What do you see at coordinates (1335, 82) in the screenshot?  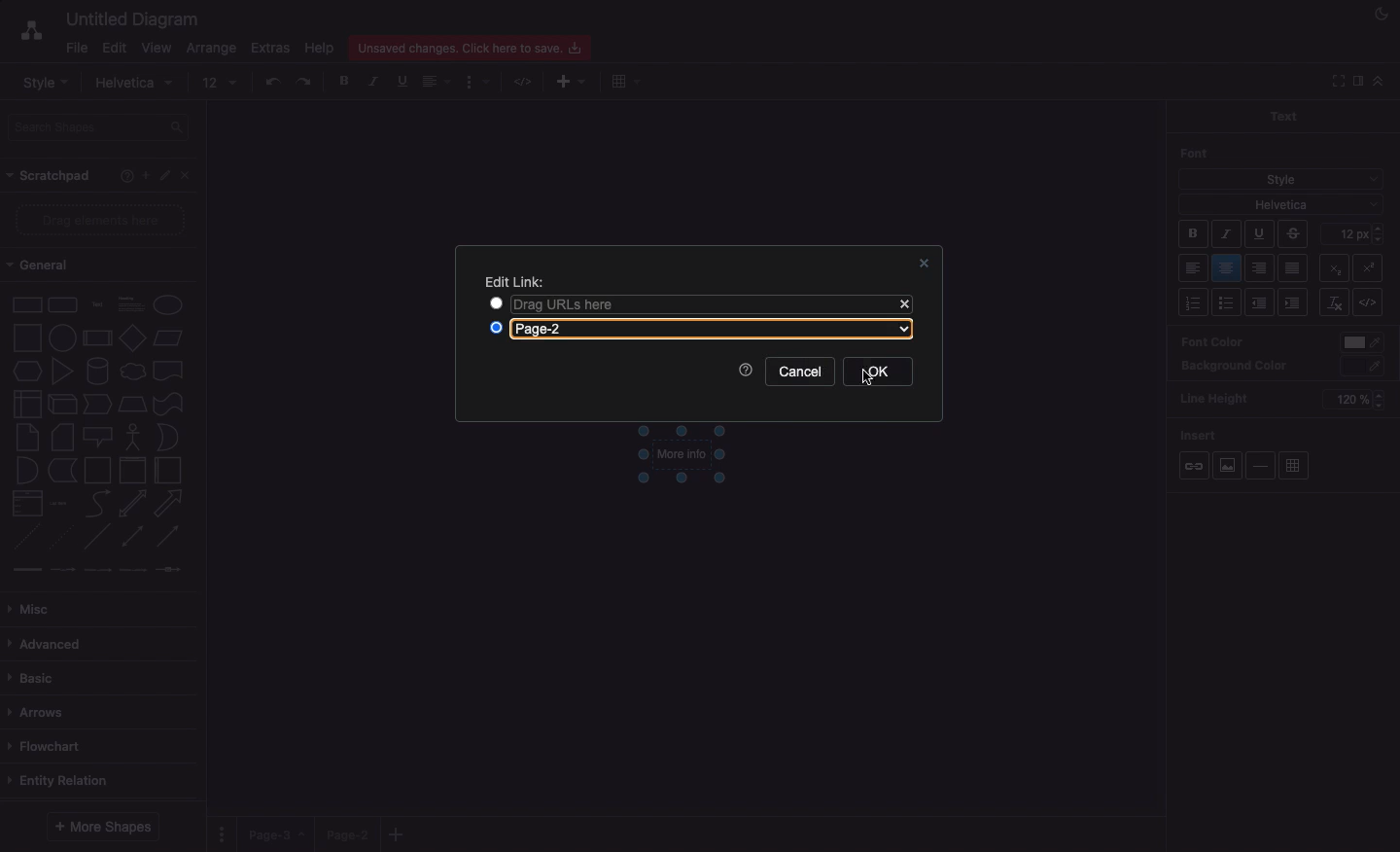 I see `Collapse` at bounding box center [1335, 82].